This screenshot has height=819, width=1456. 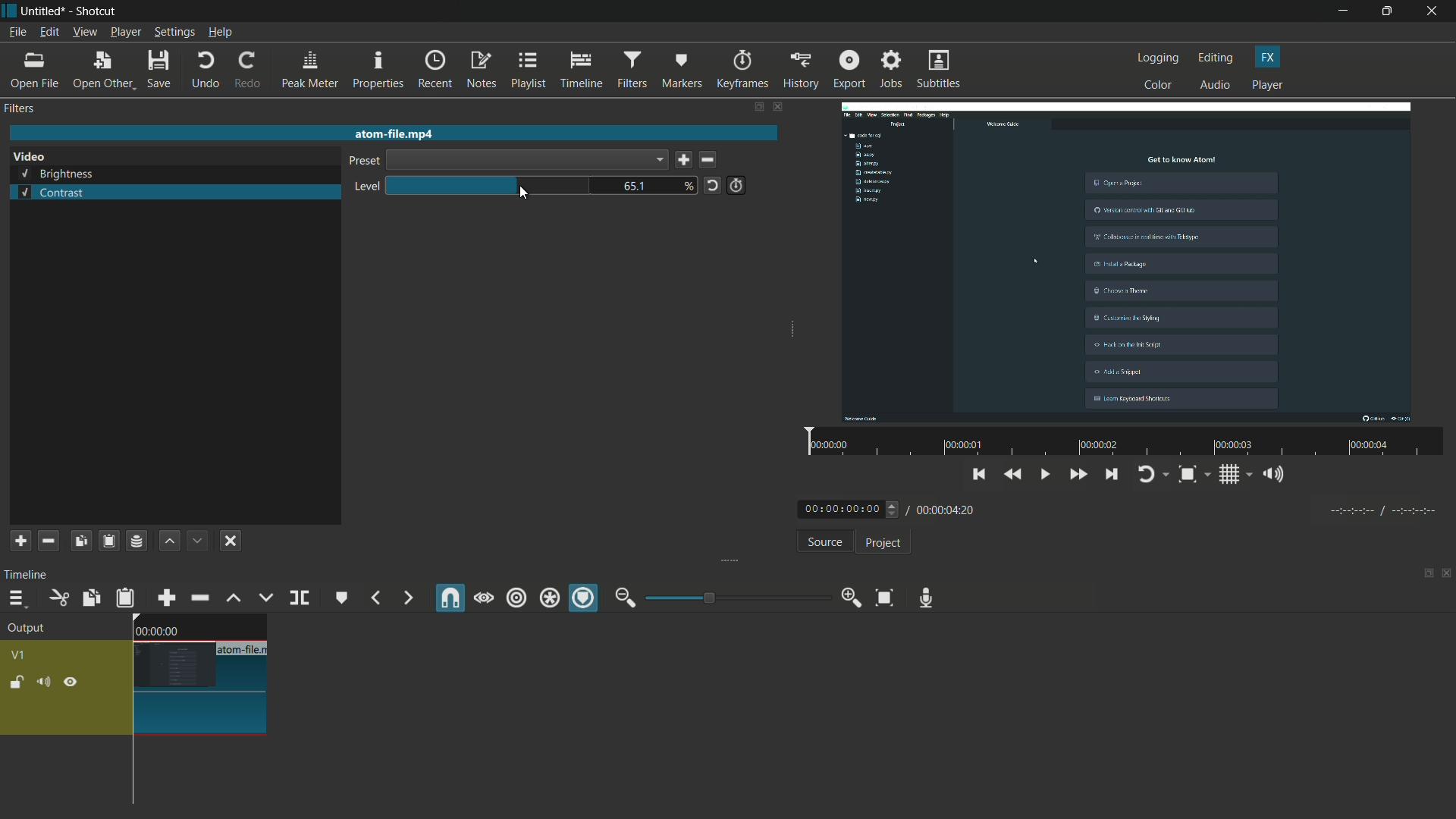 What do you see at coordinates (516, 598) in the screenshot?
I see `ripple` at bounding box center [516, 598].